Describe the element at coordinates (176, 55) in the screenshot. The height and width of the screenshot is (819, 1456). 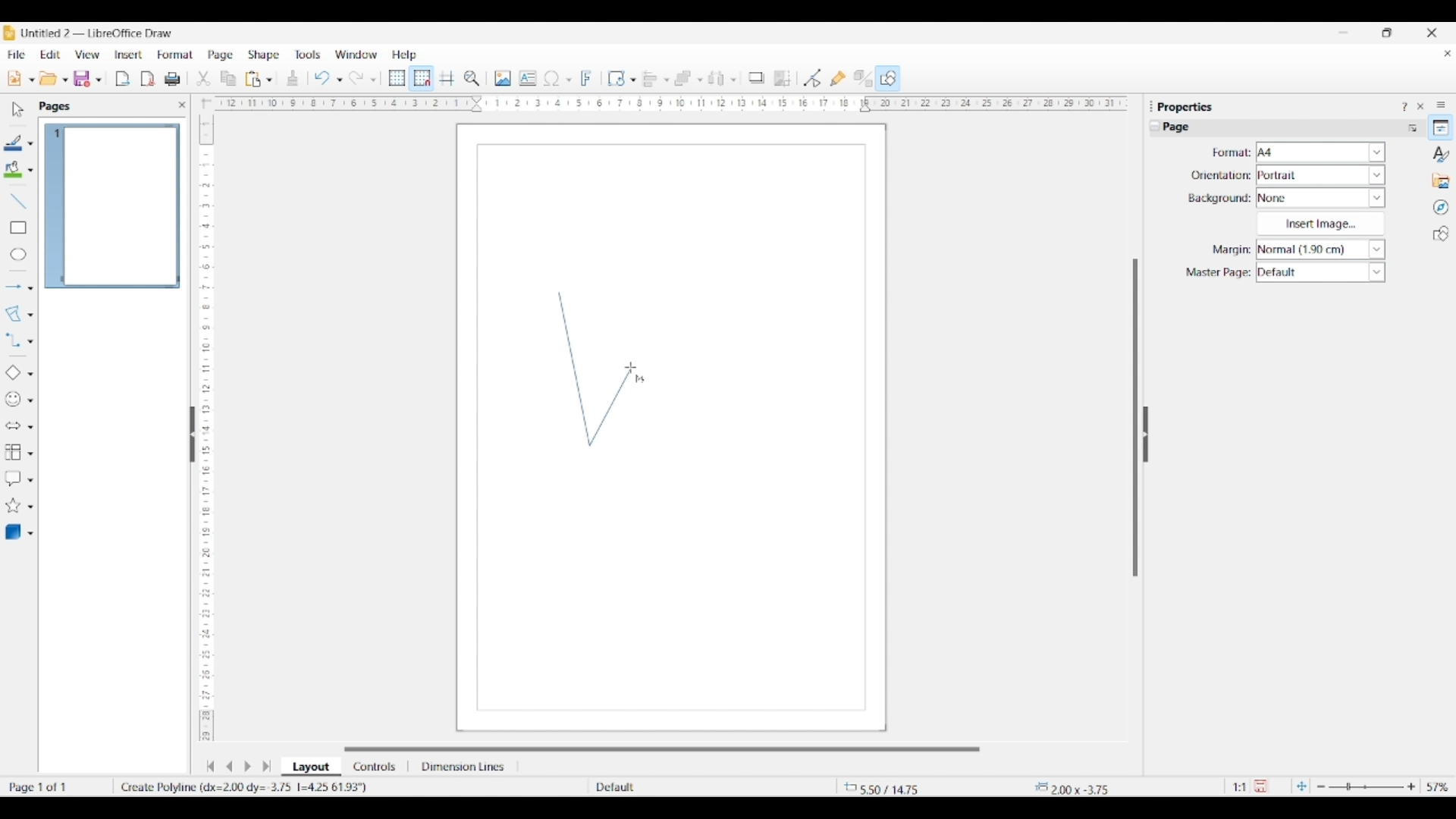
I see `Format` at that location.